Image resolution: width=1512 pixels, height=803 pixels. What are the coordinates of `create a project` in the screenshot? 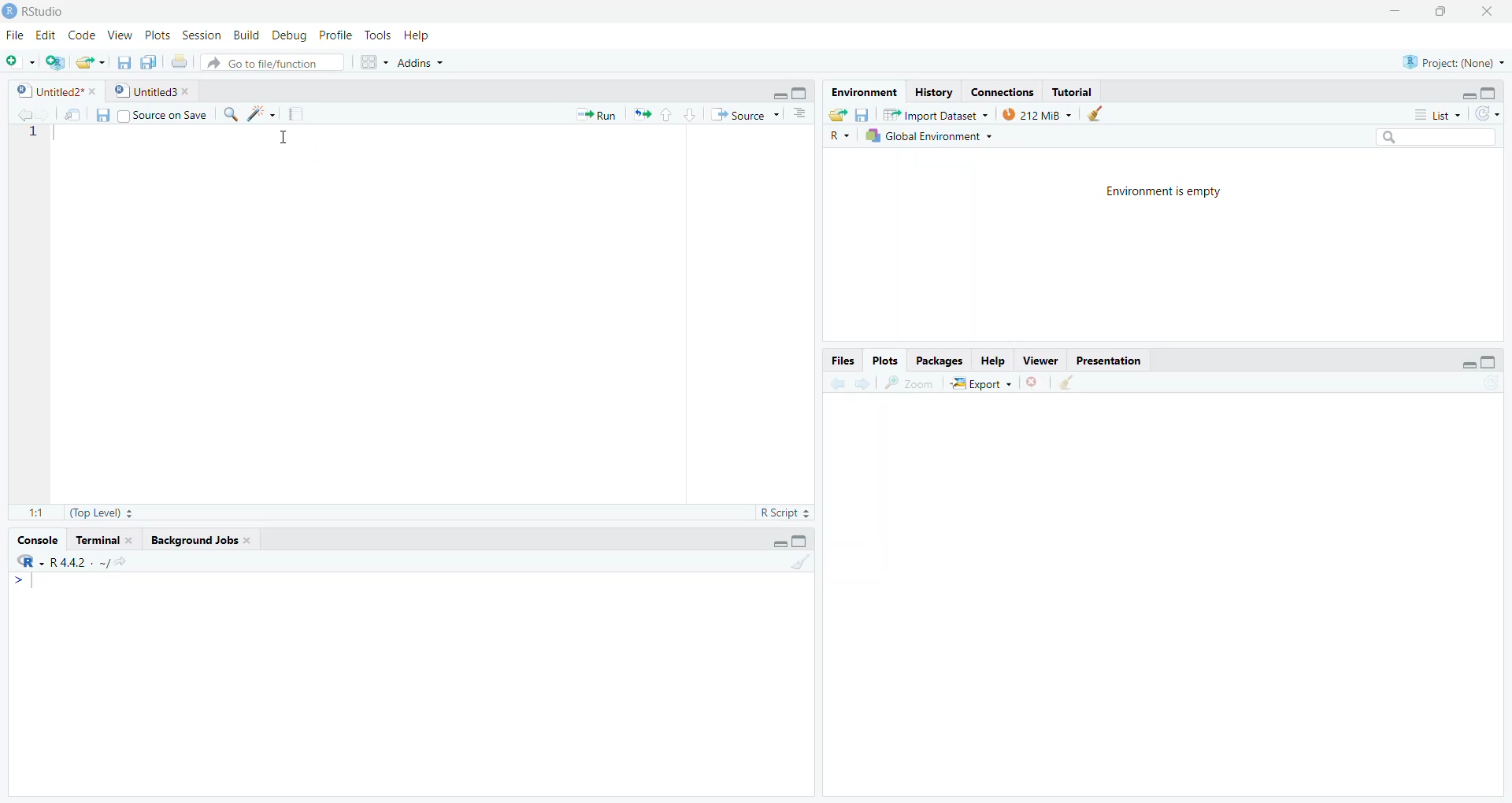 It's located at (55, 61).